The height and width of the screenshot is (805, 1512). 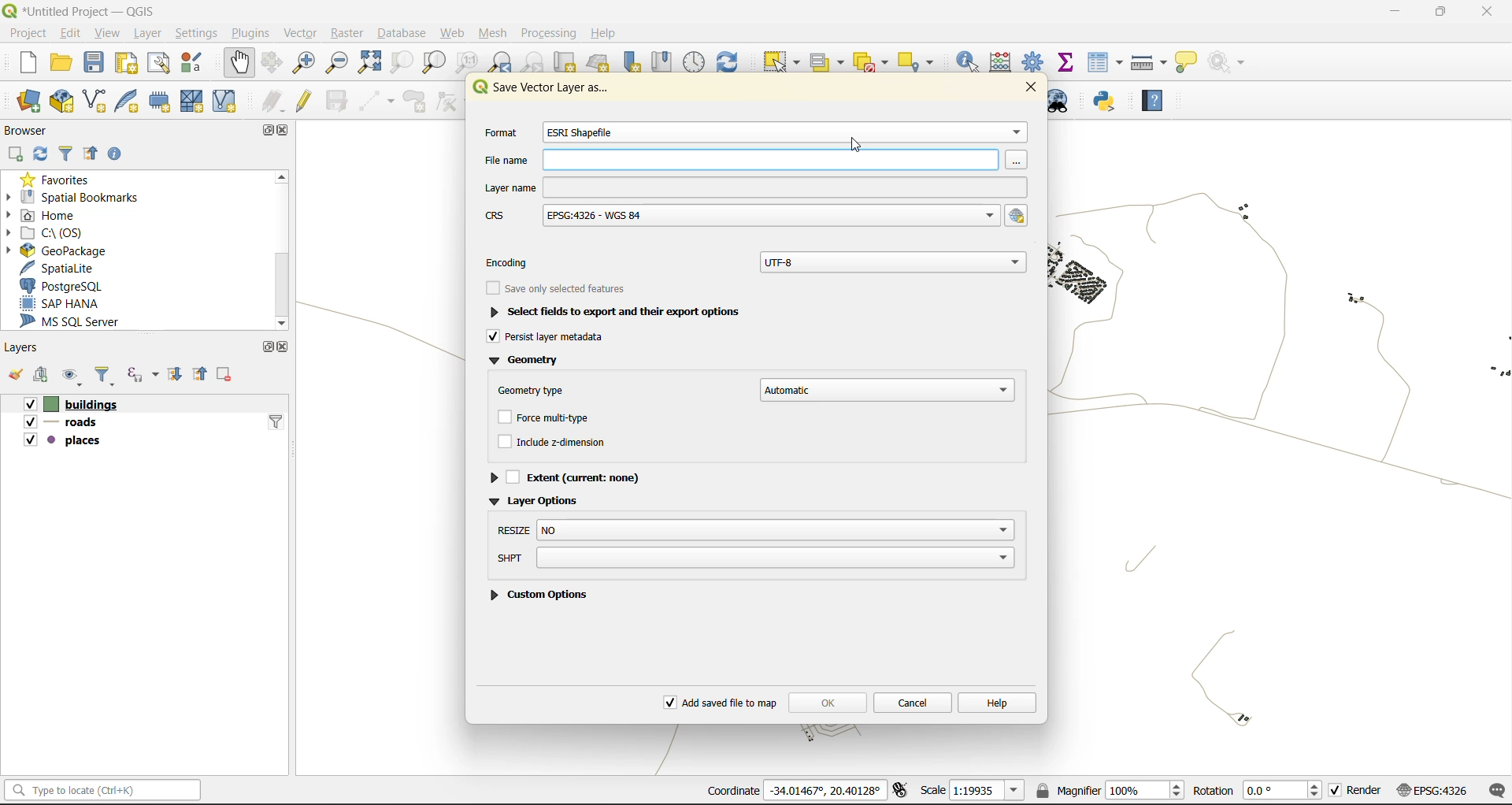 What do you see at coordinates (76, 321) in the screenshot?
I see `ms sql server` at bounding box center [76, 321].